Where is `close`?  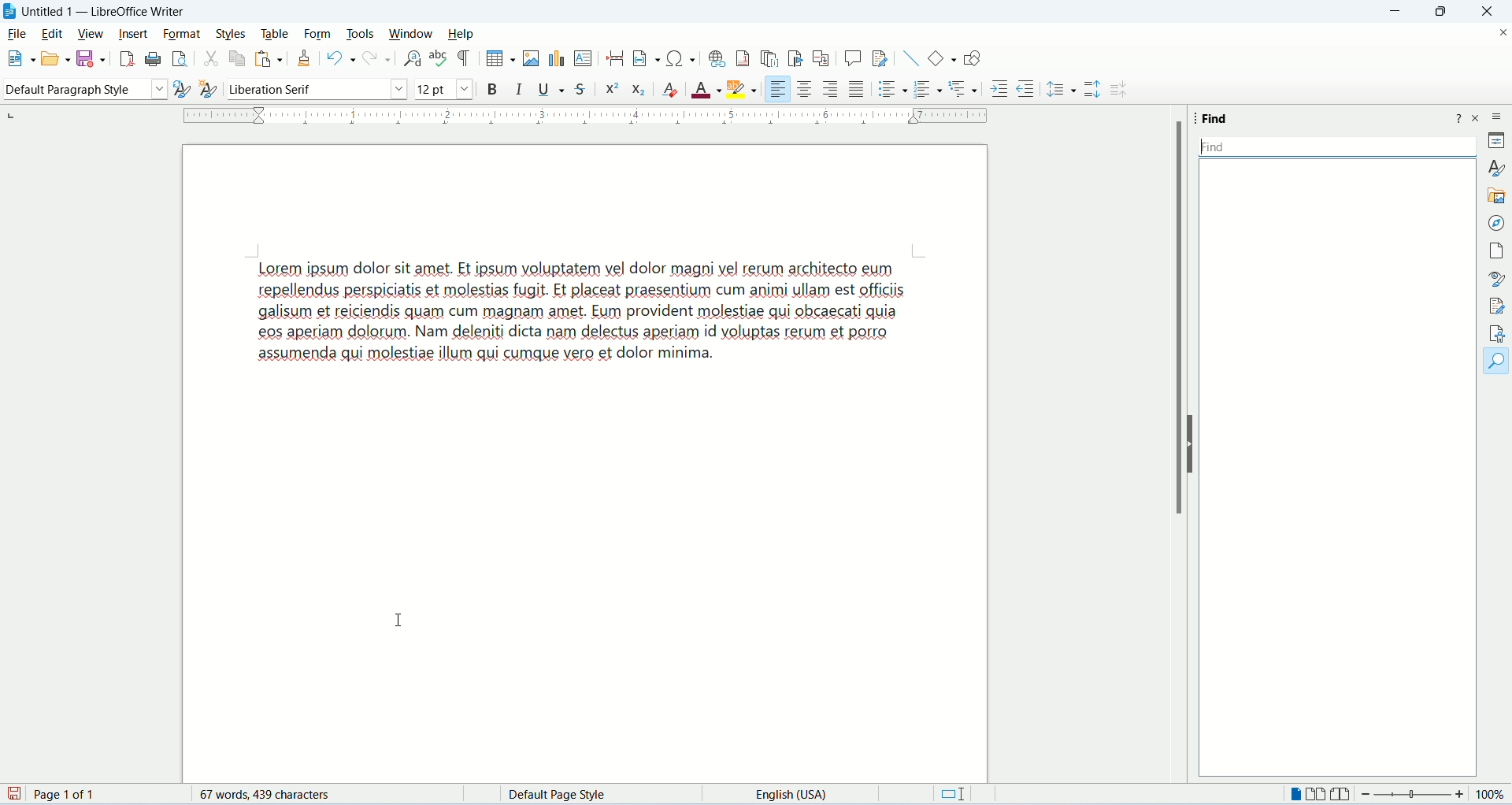
close is located at coordinates (1487, 13).